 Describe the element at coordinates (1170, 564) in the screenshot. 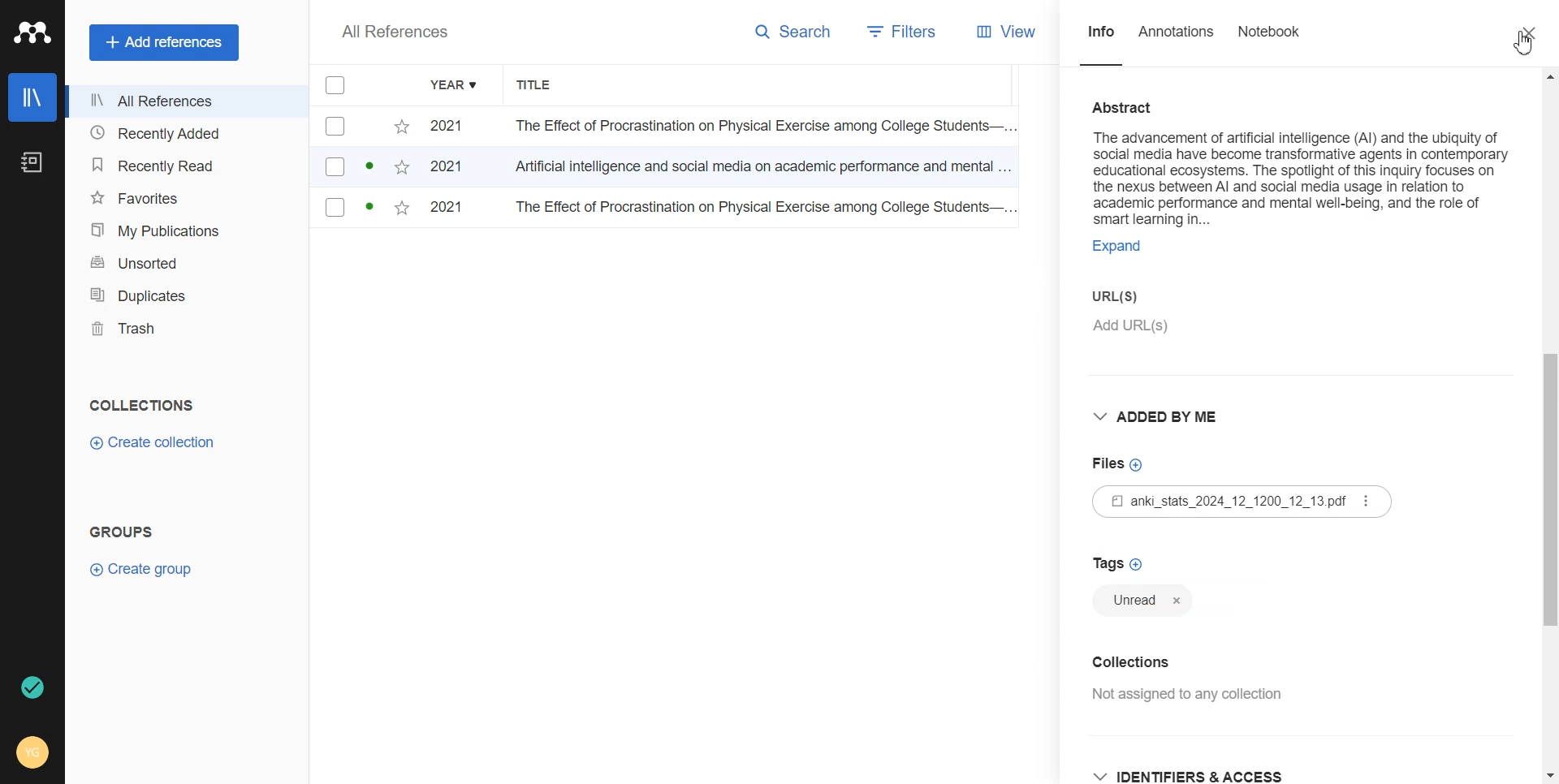

I see `Add Tag` at that location.